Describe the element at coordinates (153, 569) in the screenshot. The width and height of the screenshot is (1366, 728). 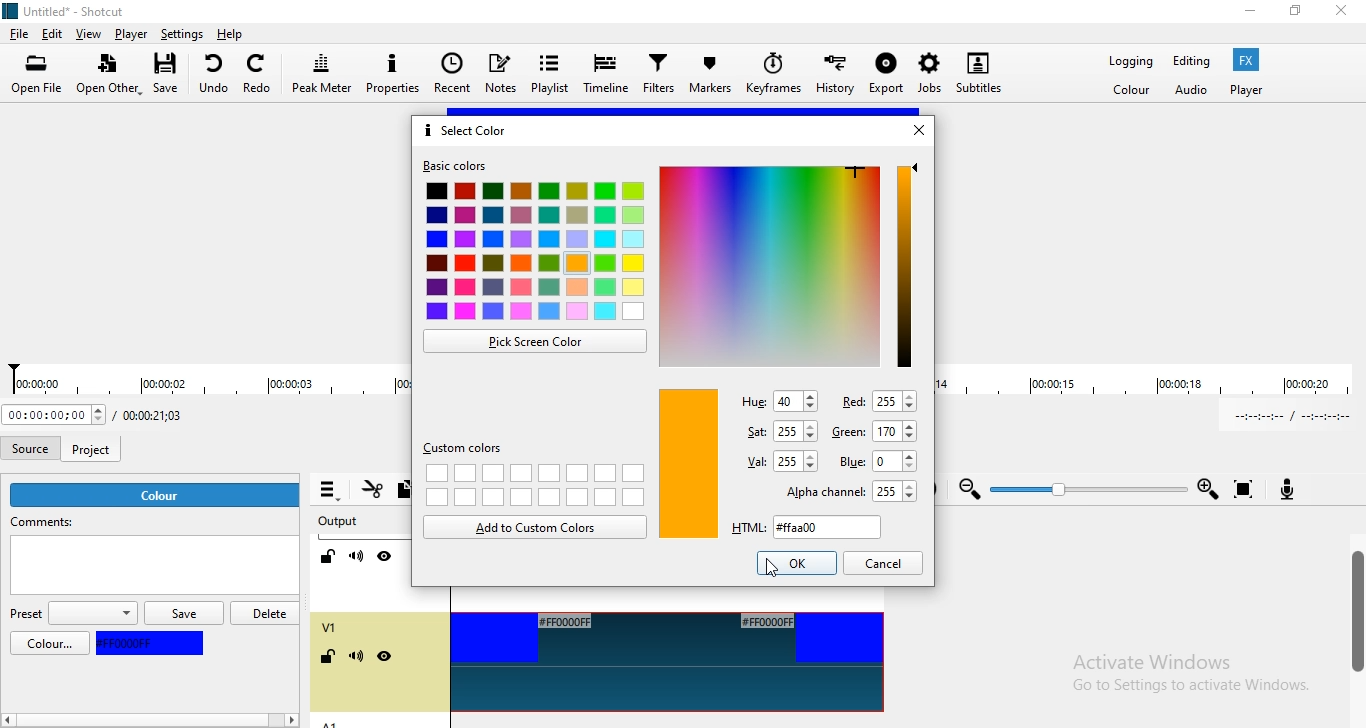
I see `empty box` at that location.